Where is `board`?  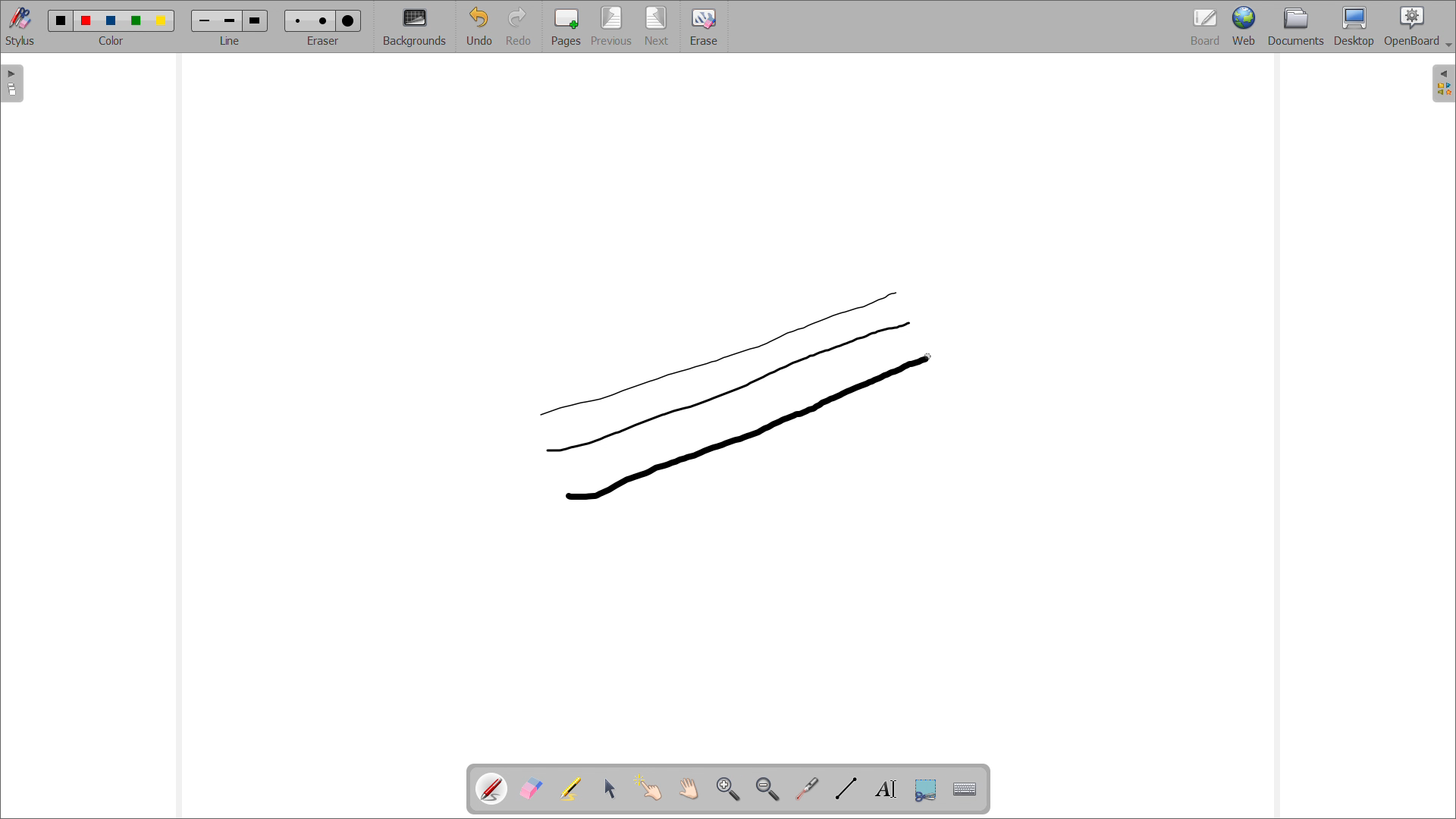
board is located at coordinates (1204, 27).